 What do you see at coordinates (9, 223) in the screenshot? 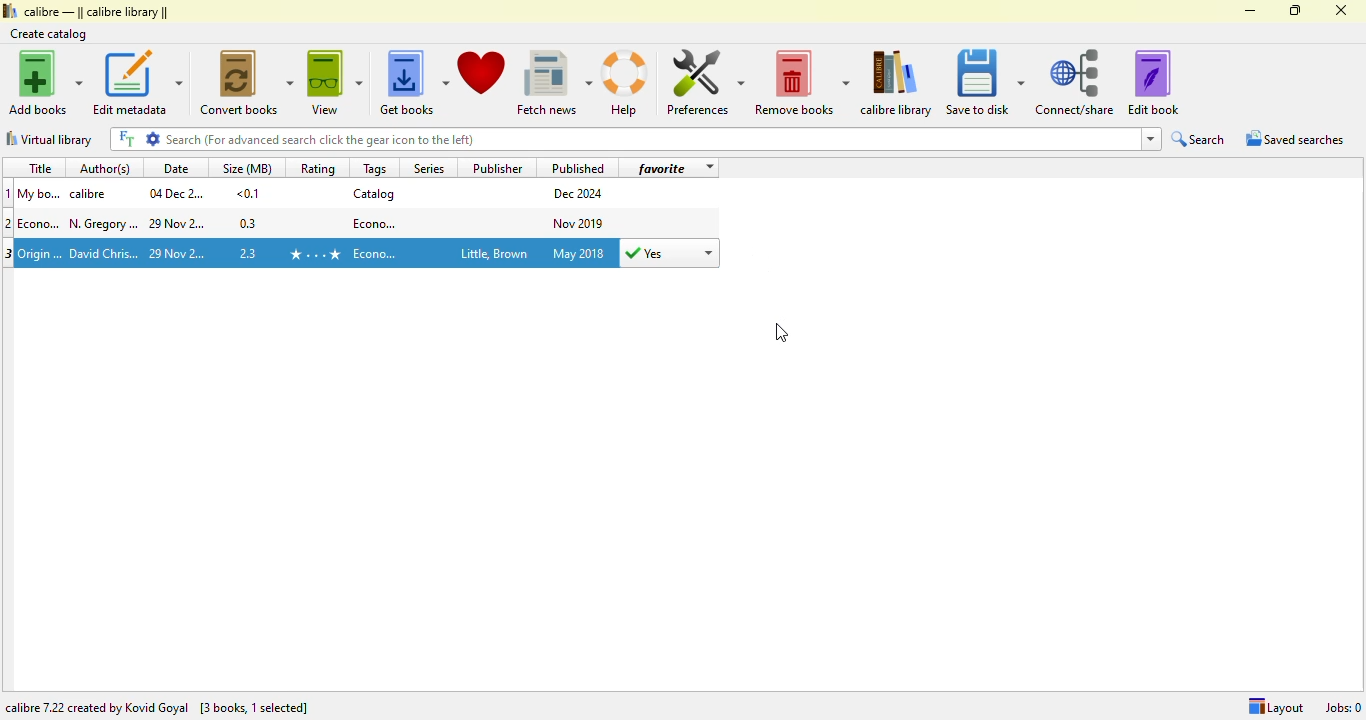
I see `2` at bounding box center [9, 223].